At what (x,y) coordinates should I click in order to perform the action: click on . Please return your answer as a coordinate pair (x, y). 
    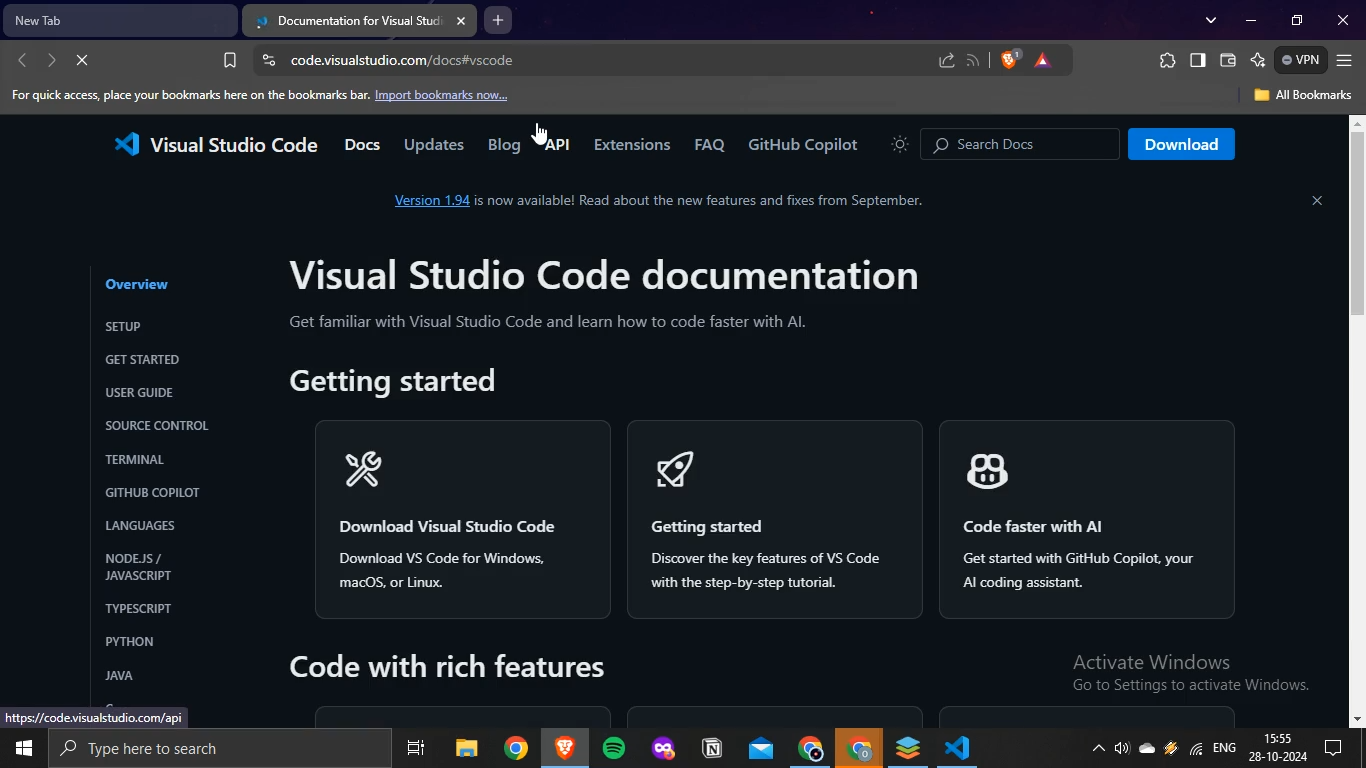
    Looking at the image, I should click on (974, 60).